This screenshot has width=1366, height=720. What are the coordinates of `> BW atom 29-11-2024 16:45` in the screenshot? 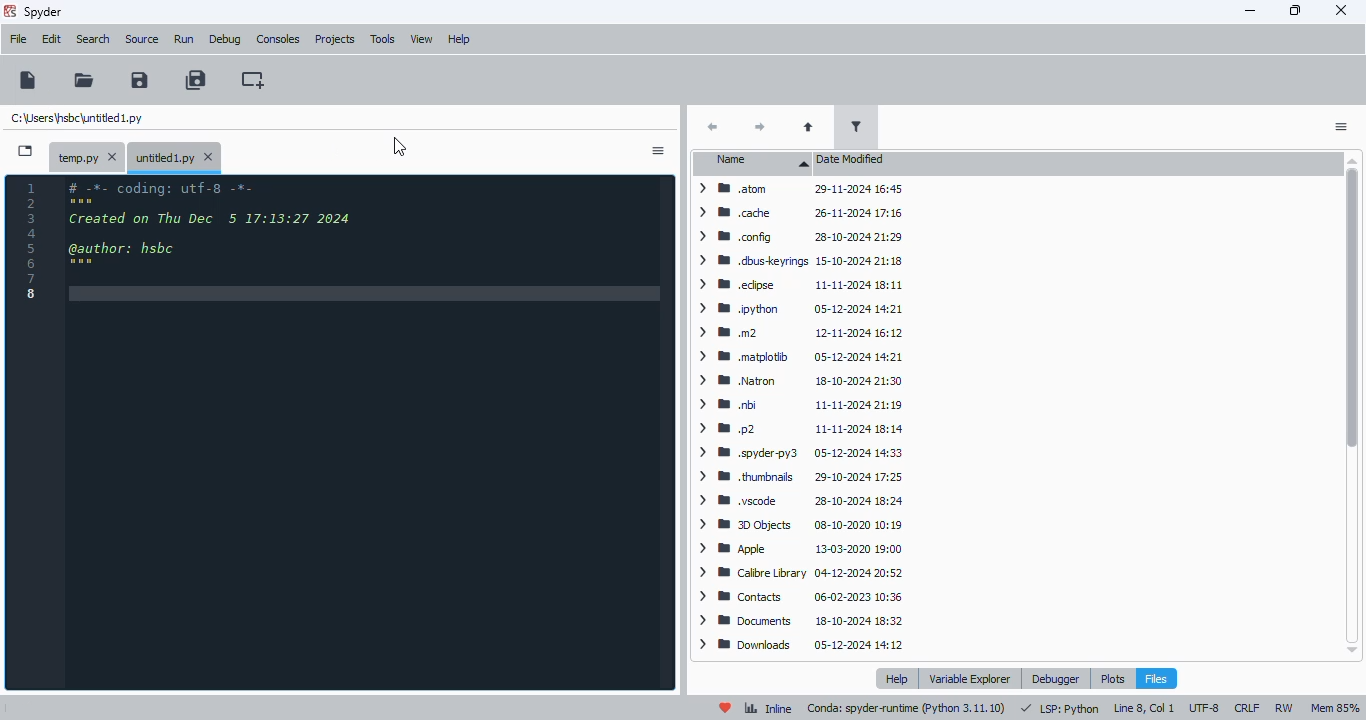 It's located at (797, 191).